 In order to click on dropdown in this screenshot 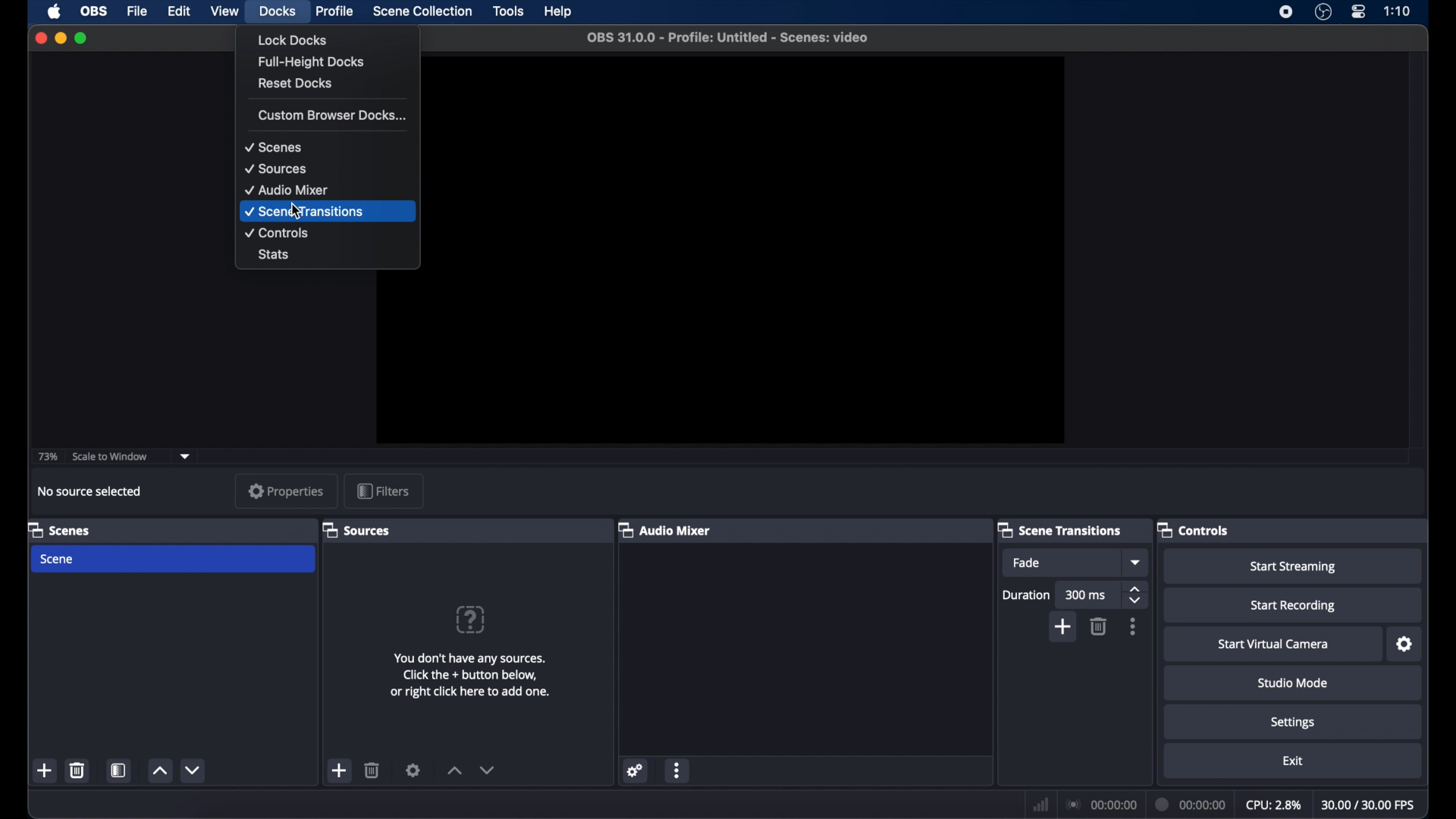, I will do `click(186, 455)`.